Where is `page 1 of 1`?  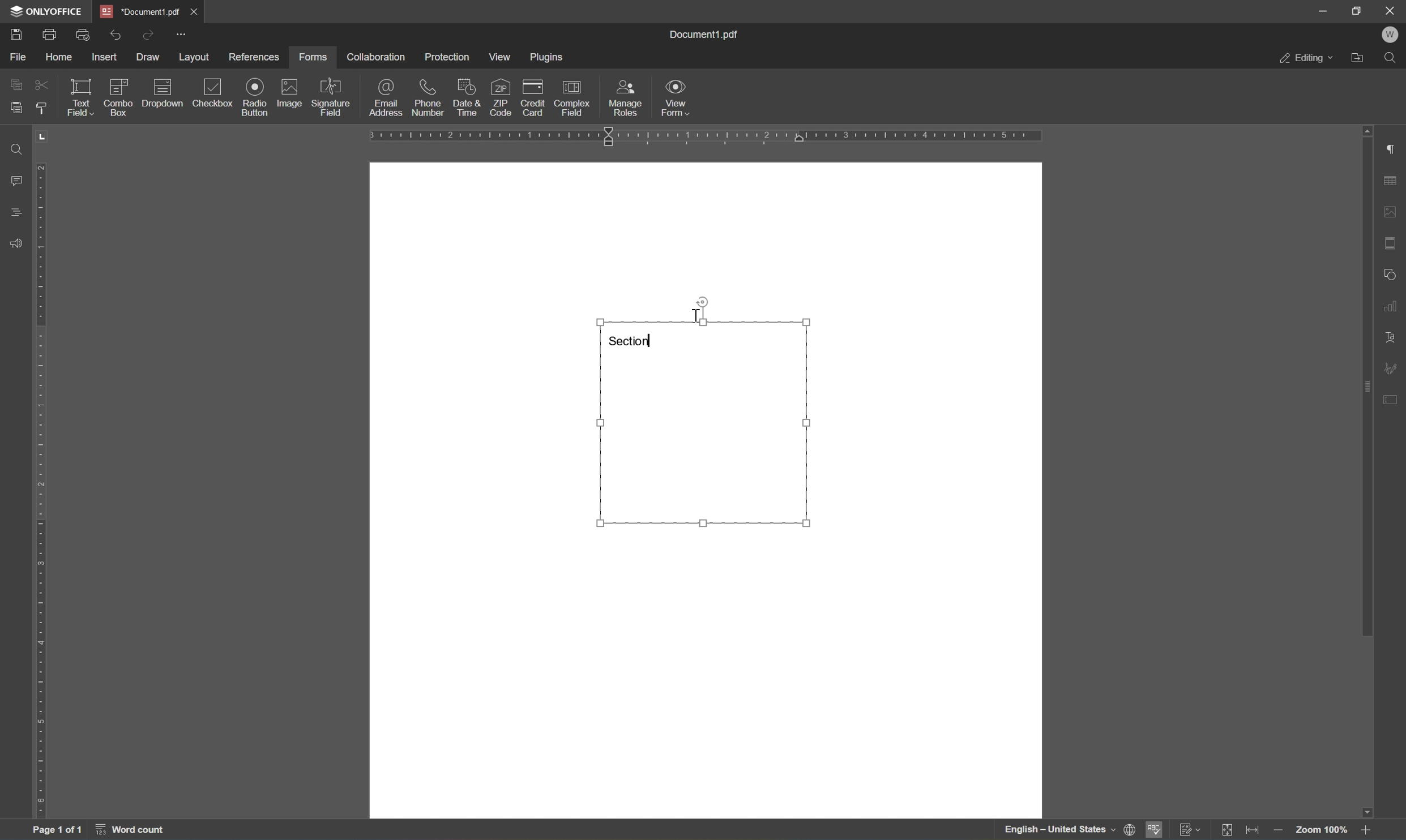 page 1 of 1 is located at coordinates (57, 832).